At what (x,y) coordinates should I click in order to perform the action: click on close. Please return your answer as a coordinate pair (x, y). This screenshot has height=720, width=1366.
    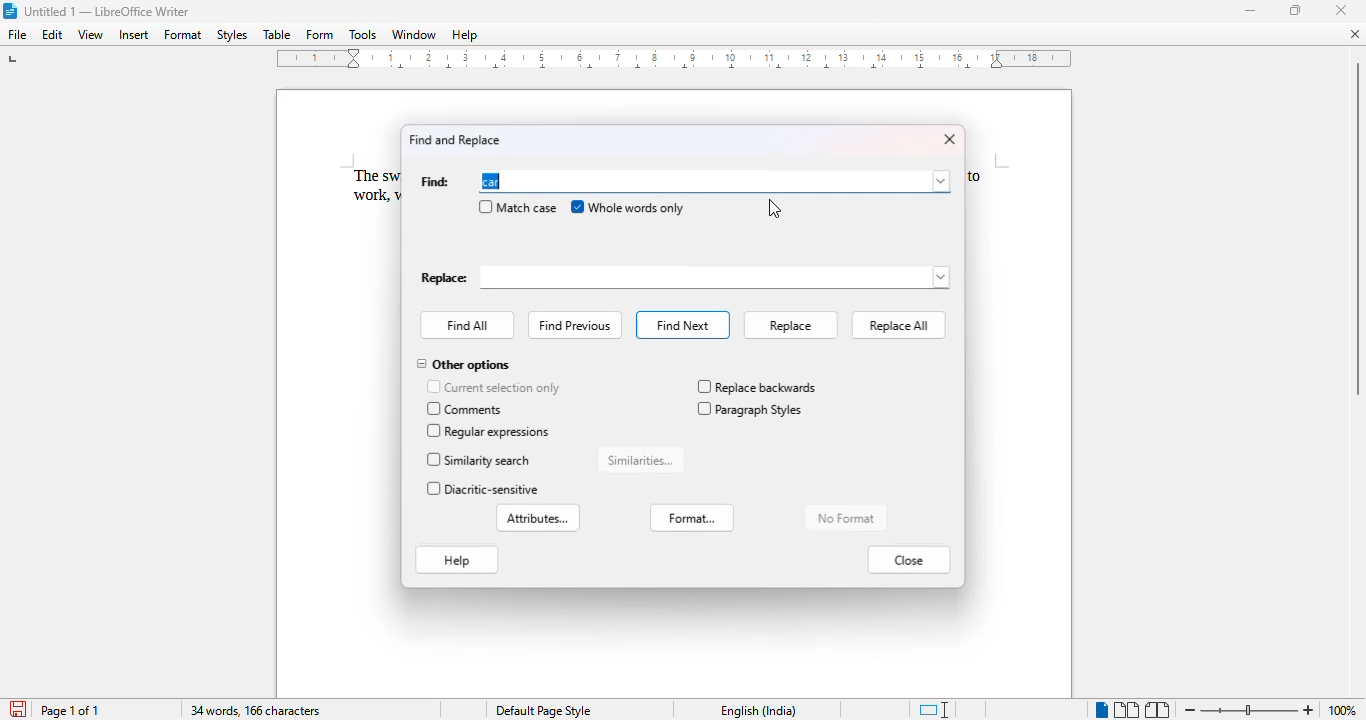
    Looking at the image, I should click on (1352, 35).